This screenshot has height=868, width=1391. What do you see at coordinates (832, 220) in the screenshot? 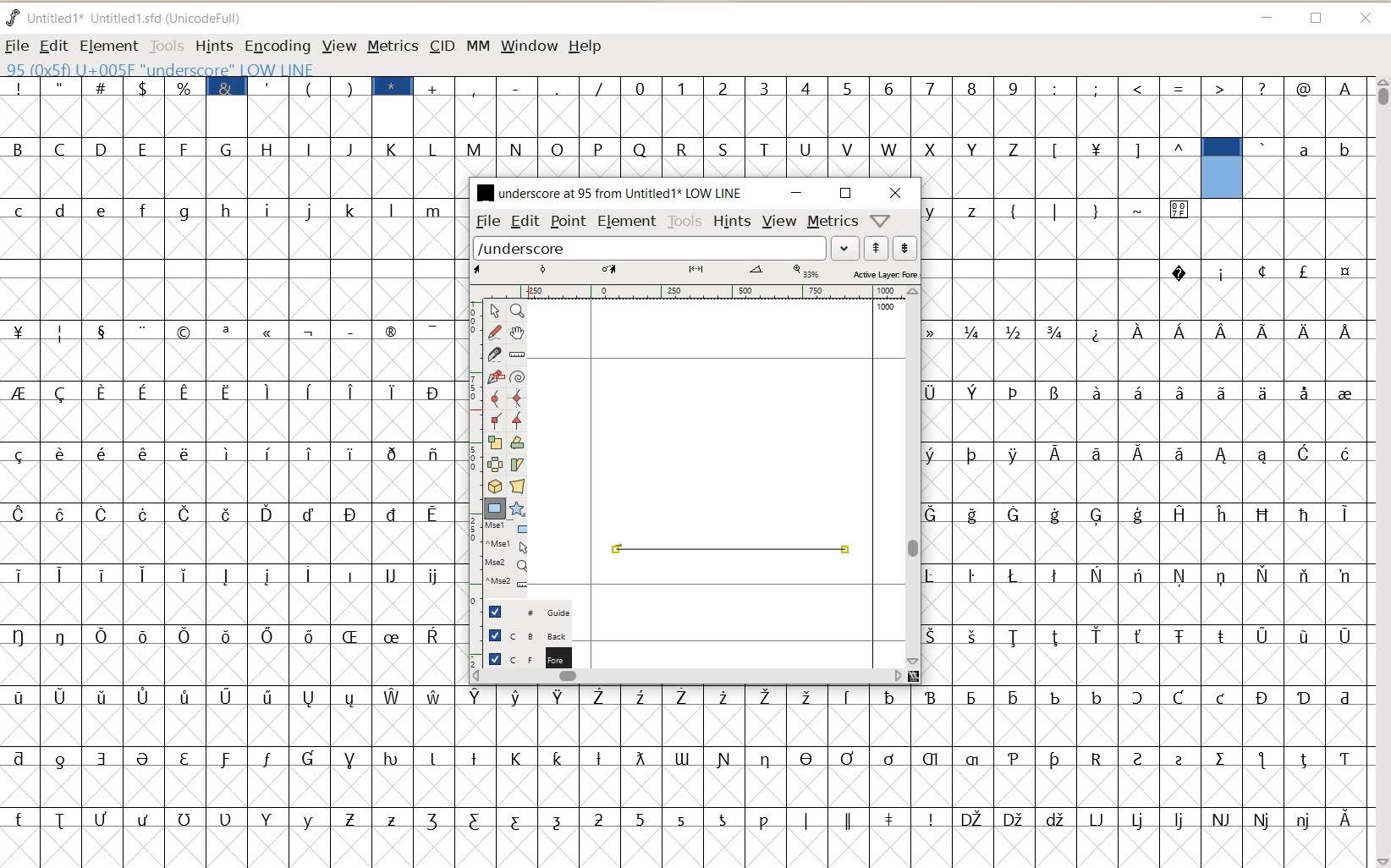
I see `metrics` at bounding box center [832, 220].